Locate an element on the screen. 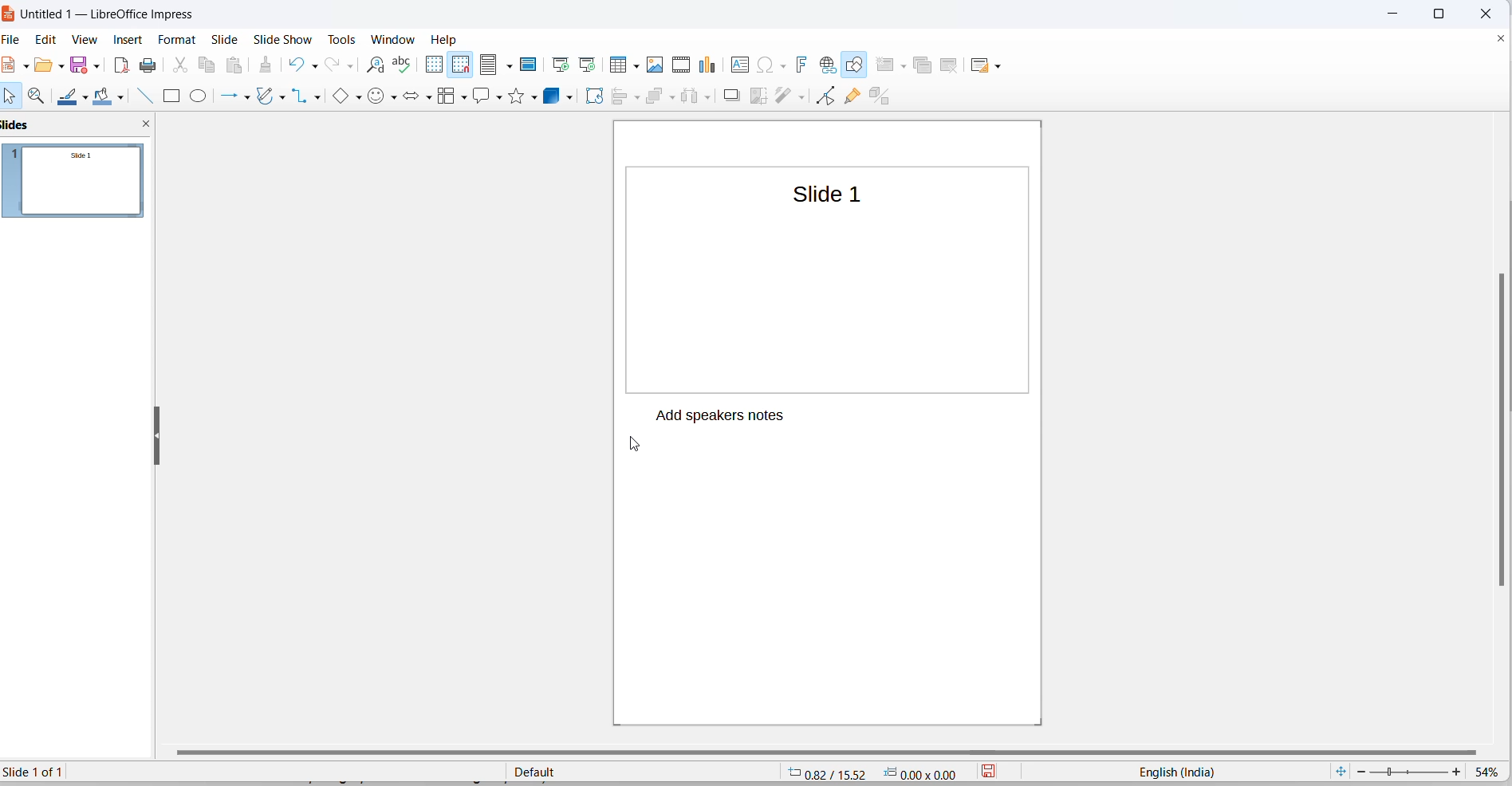 The width and height of the screenshot is (1512, 786). connectors is located at coordinates (303, 96).